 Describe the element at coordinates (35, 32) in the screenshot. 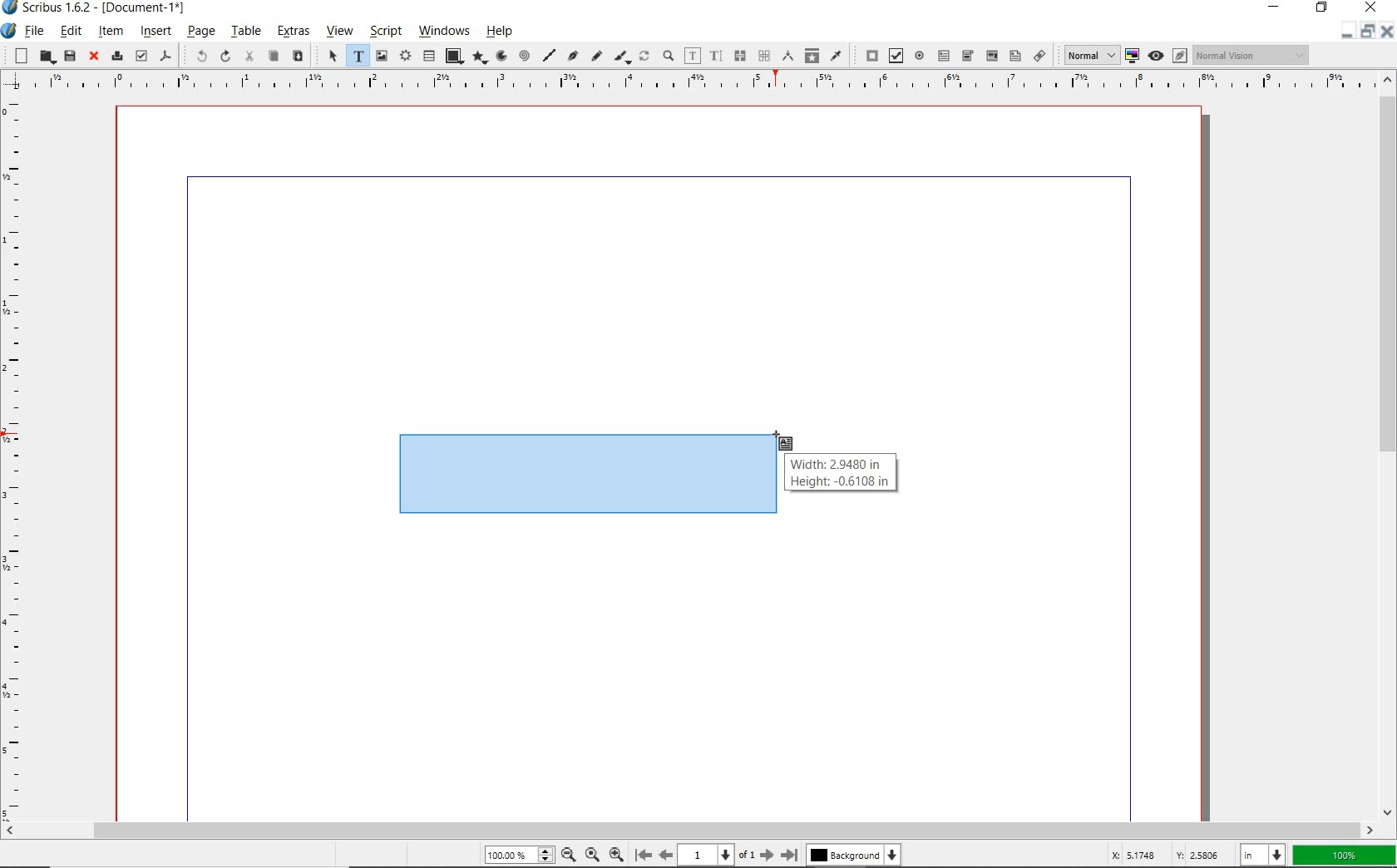

I see `file` at that location.